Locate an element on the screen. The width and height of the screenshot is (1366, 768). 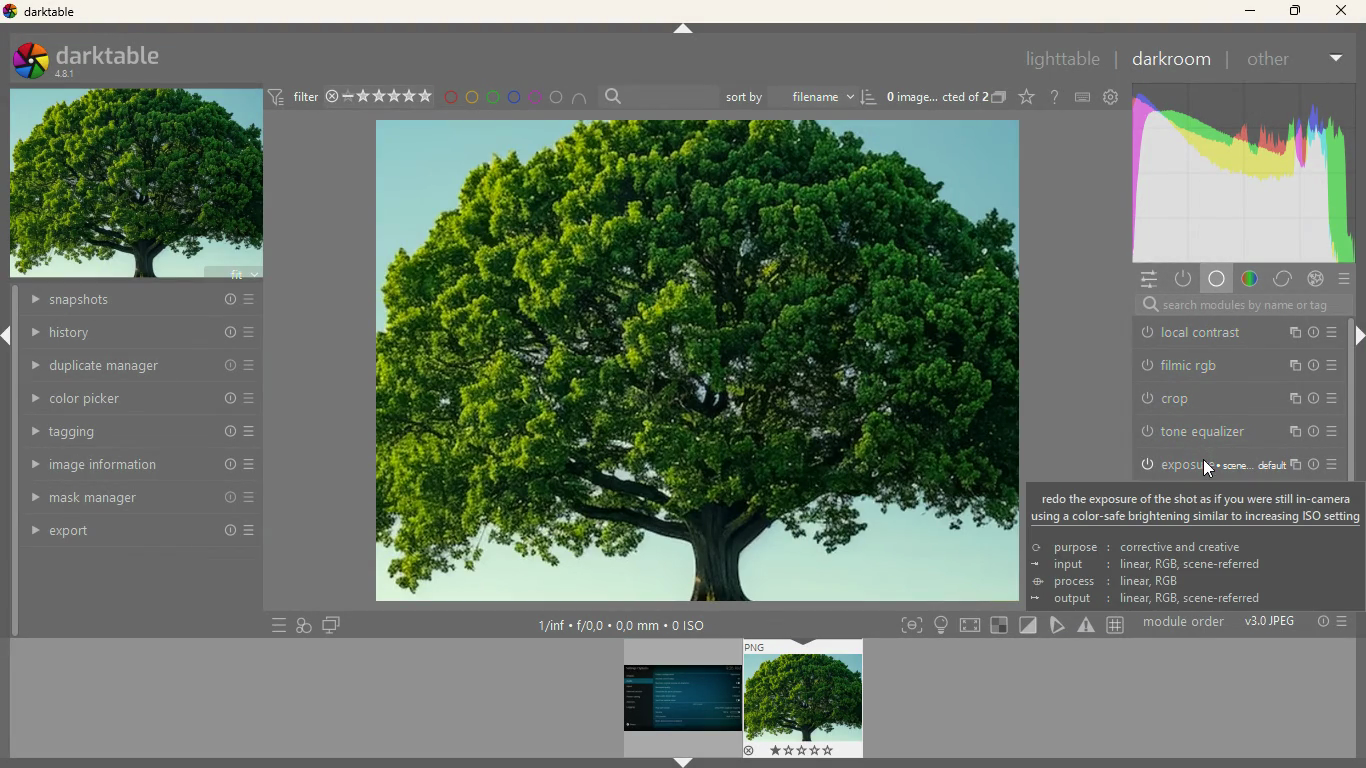
image description is located at coordinates (937, 95).